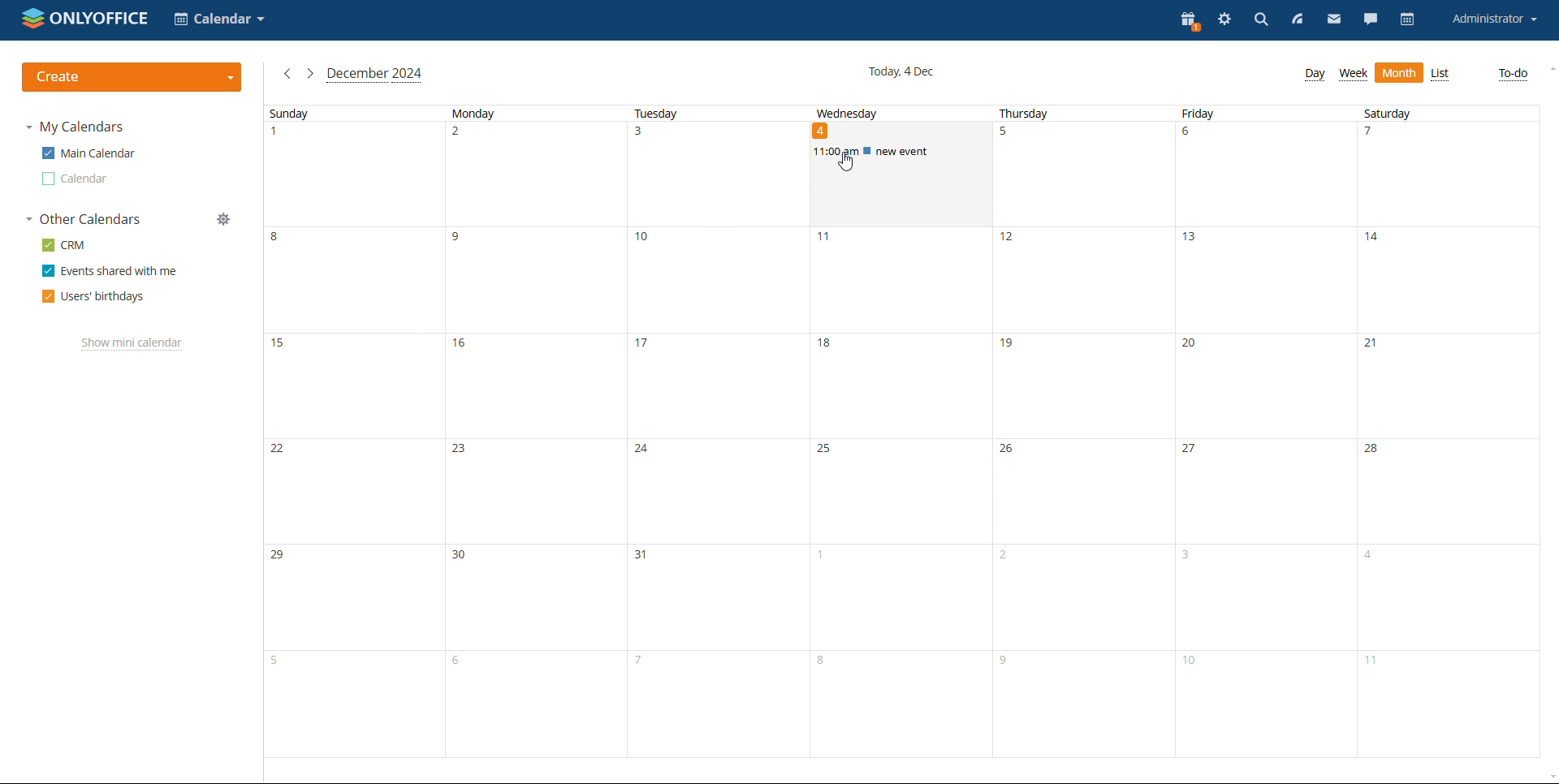  What do you see at coordinates (1080, 430) in the screenshot?
I see `thursday` at bounding box center [1080, 430].